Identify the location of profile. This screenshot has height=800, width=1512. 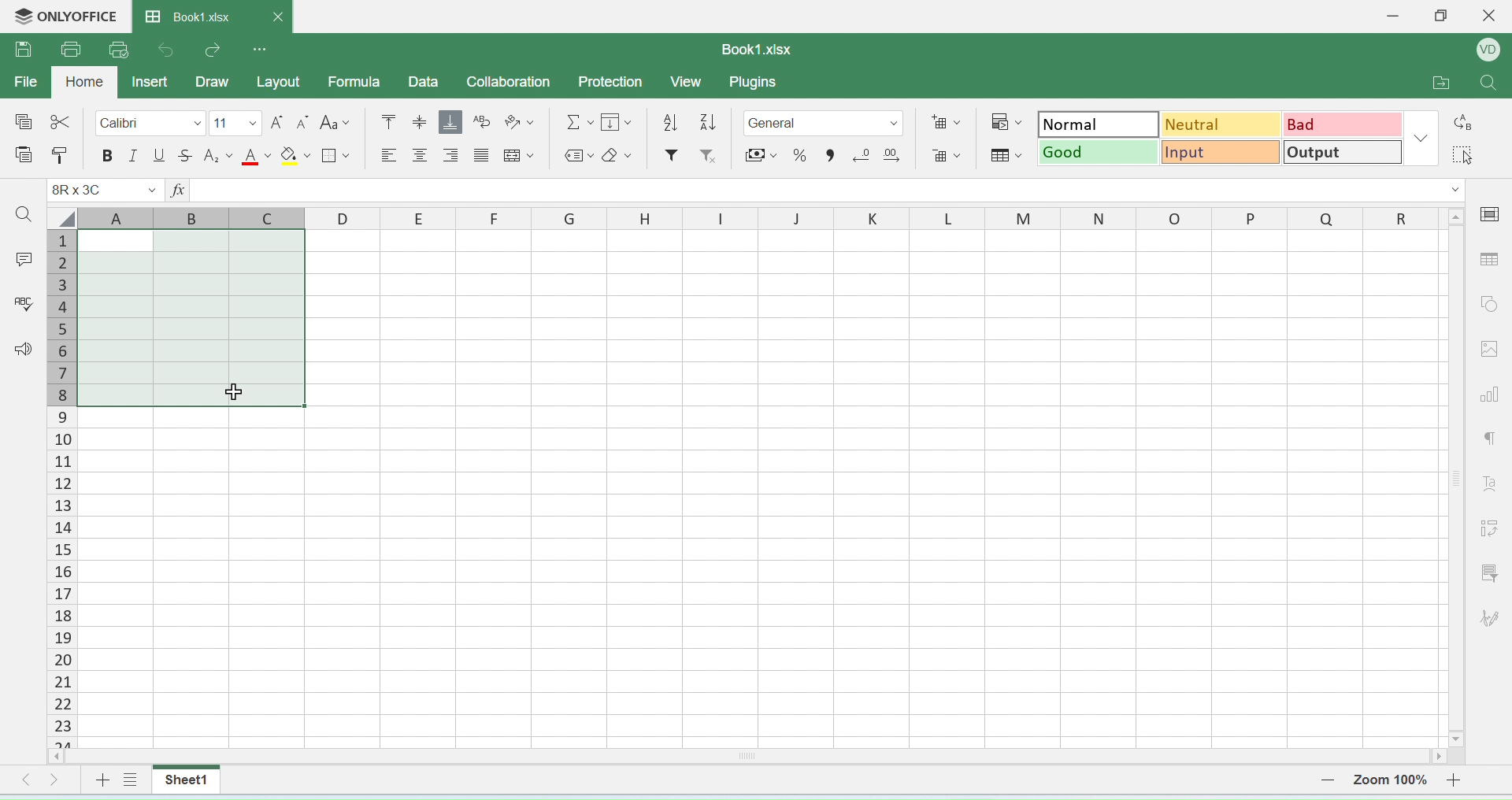
(1489, 49).